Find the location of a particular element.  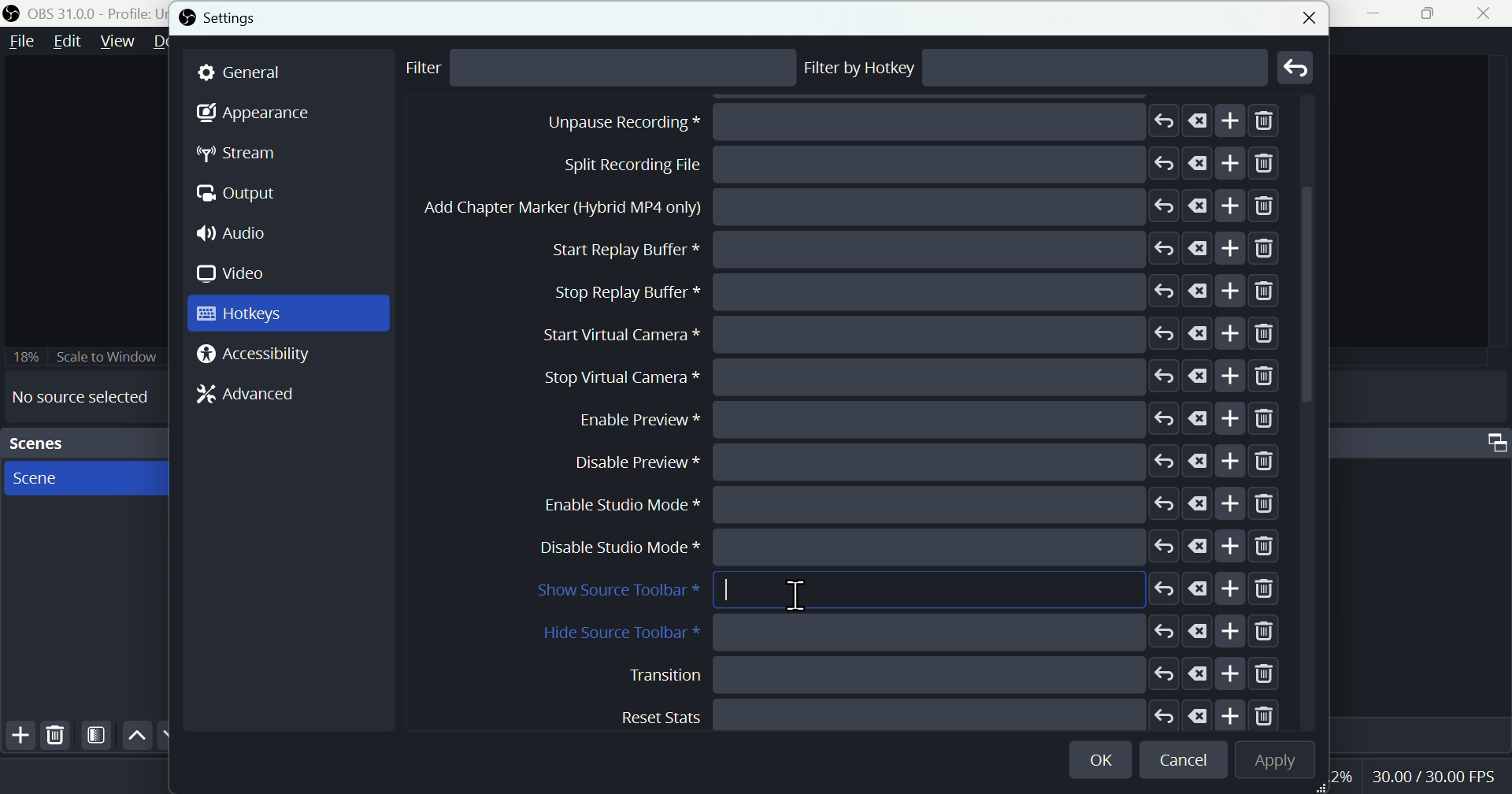

Stop Replay Buffer is located at coordinates (916, 462).